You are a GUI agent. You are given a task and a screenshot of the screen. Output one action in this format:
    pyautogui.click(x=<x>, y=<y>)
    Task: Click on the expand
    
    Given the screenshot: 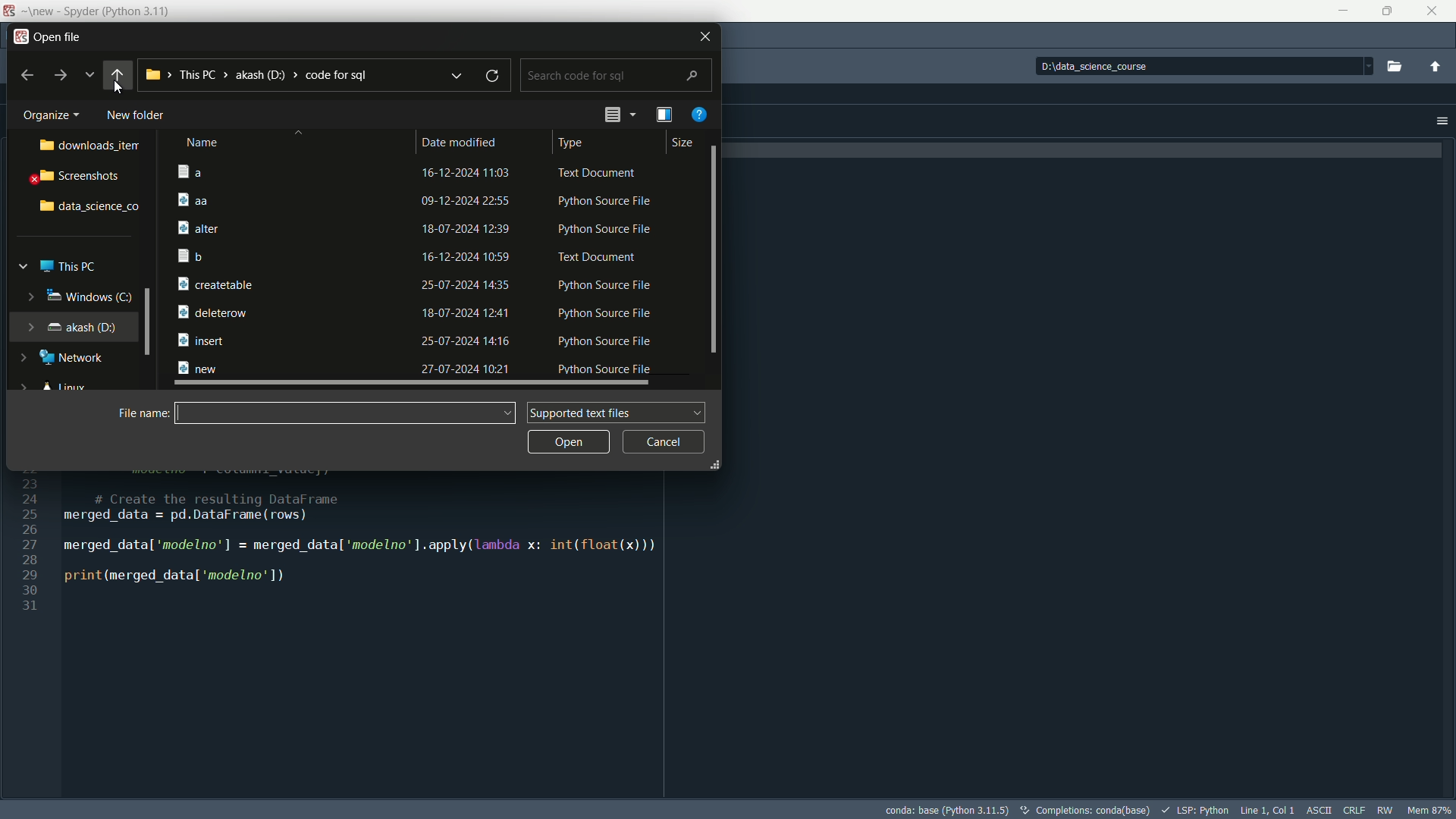 What is the action you would take?
    pyautogui.click(x=29, y=326)
    